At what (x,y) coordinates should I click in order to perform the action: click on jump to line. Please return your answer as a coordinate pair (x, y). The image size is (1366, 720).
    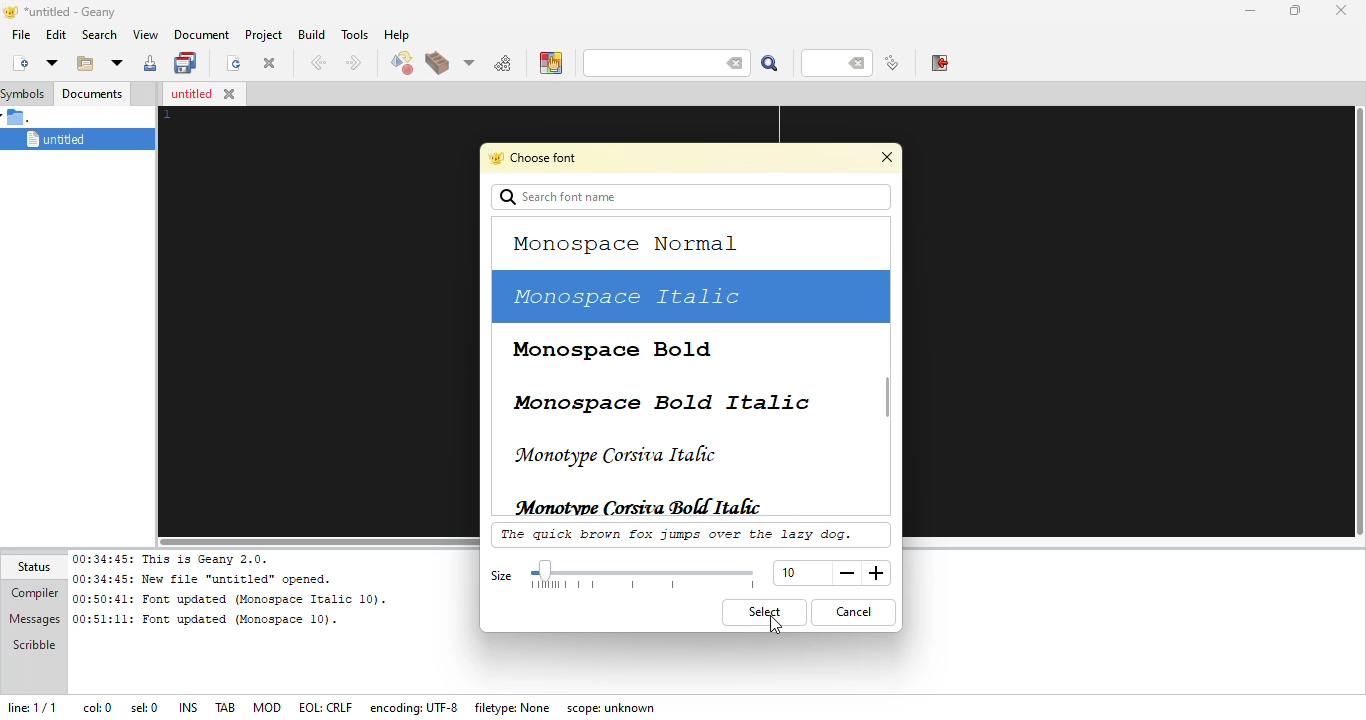
    Looking at the image, I should click on (890, 64).